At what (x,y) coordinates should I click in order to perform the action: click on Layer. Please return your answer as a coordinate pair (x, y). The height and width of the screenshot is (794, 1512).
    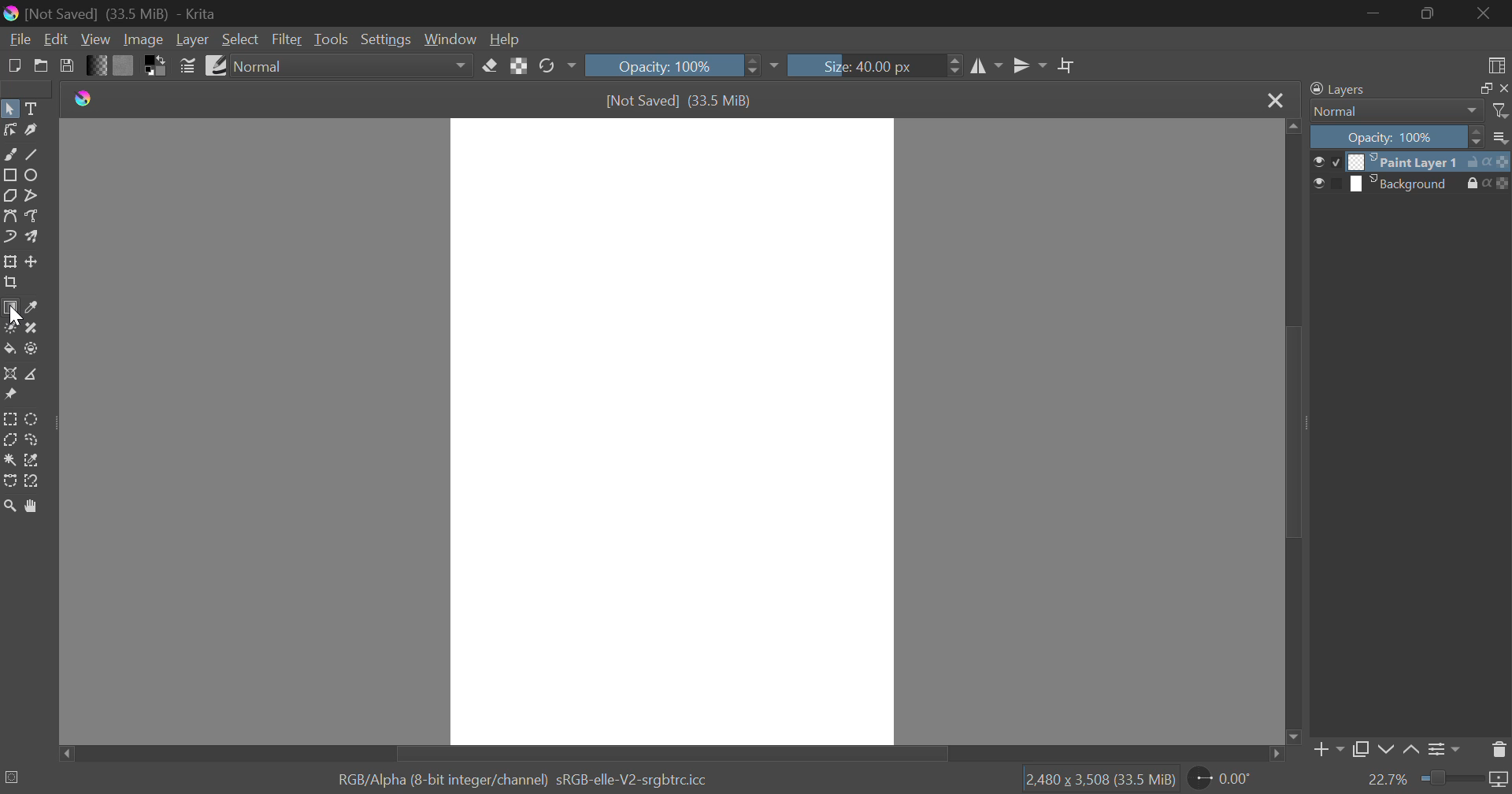
    Looking at the image, I should click on (192, 39).